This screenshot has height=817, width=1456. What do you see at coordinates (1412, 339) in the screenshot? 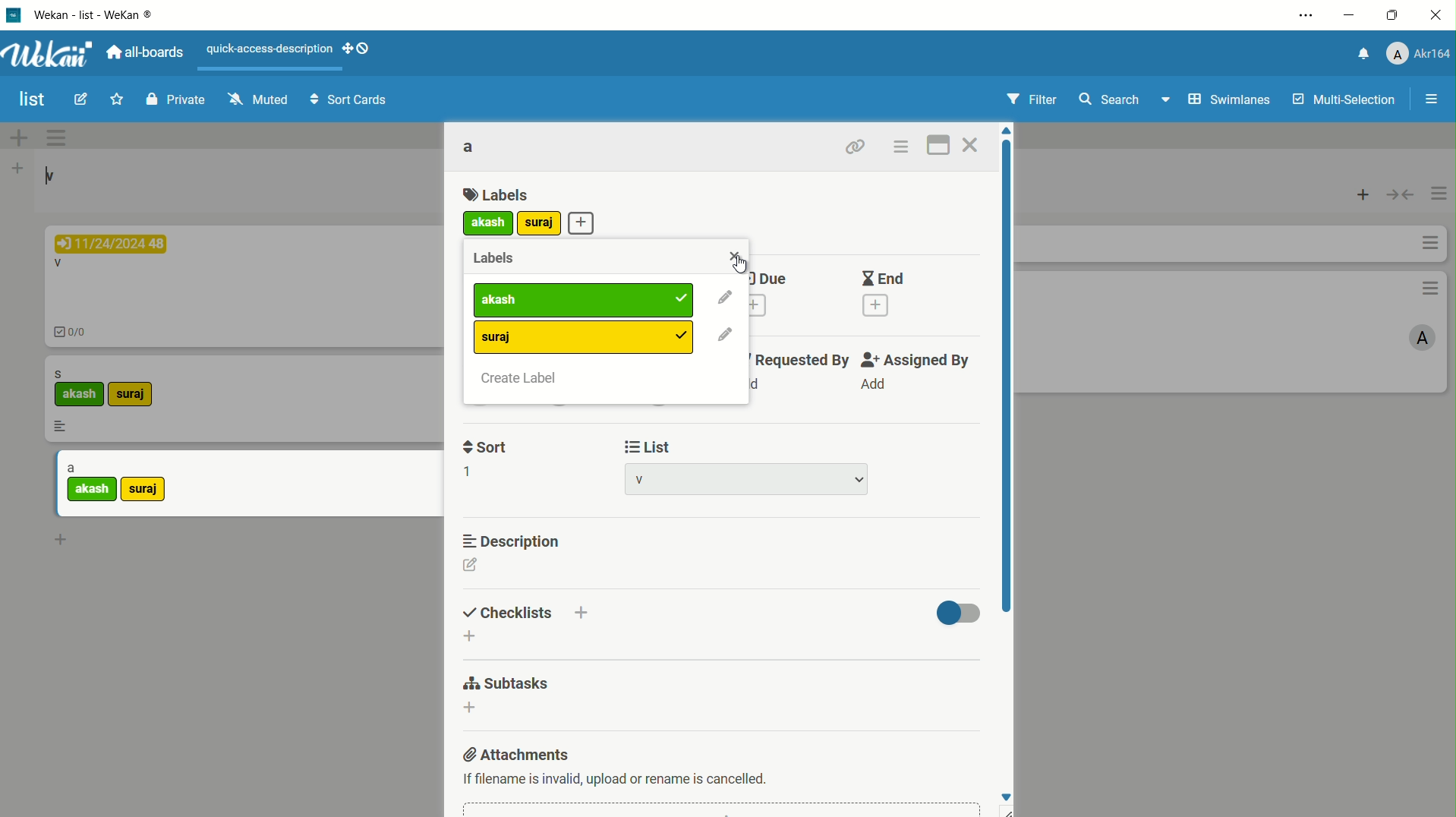
I see `A` at bounding box center [1412, 339].